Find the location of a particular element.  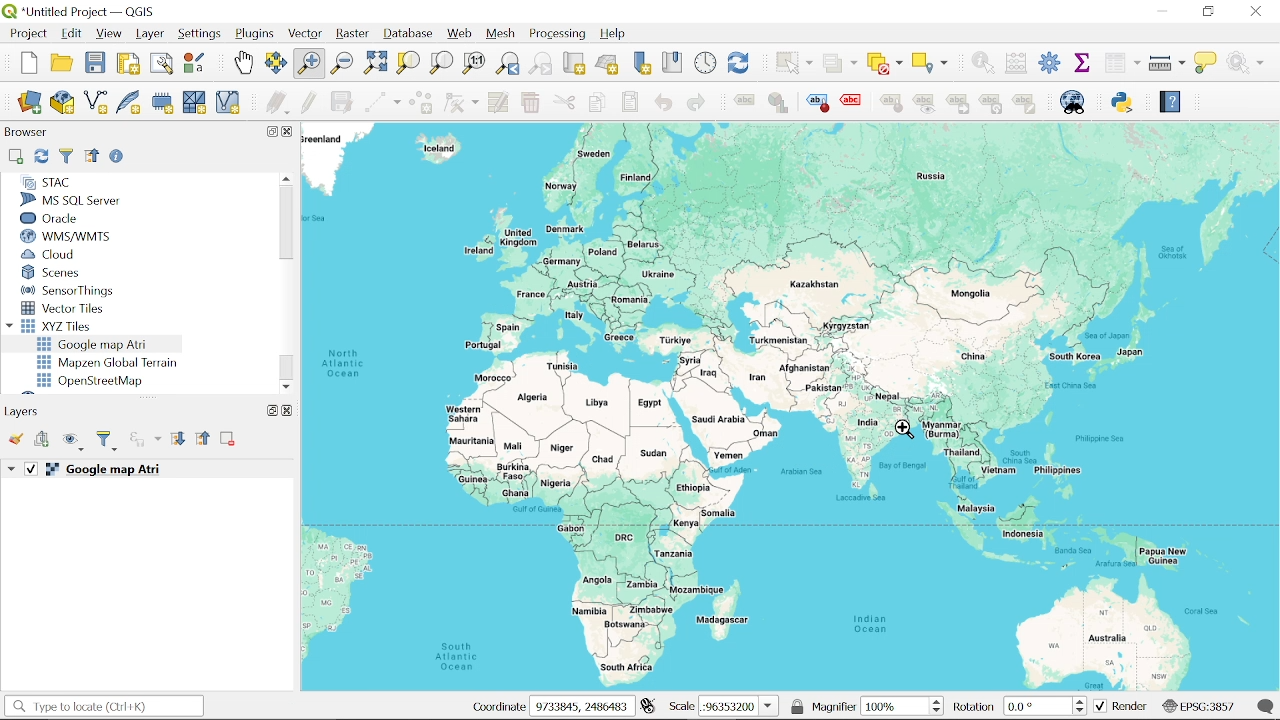

Move up is located at coordinates (284, 178).